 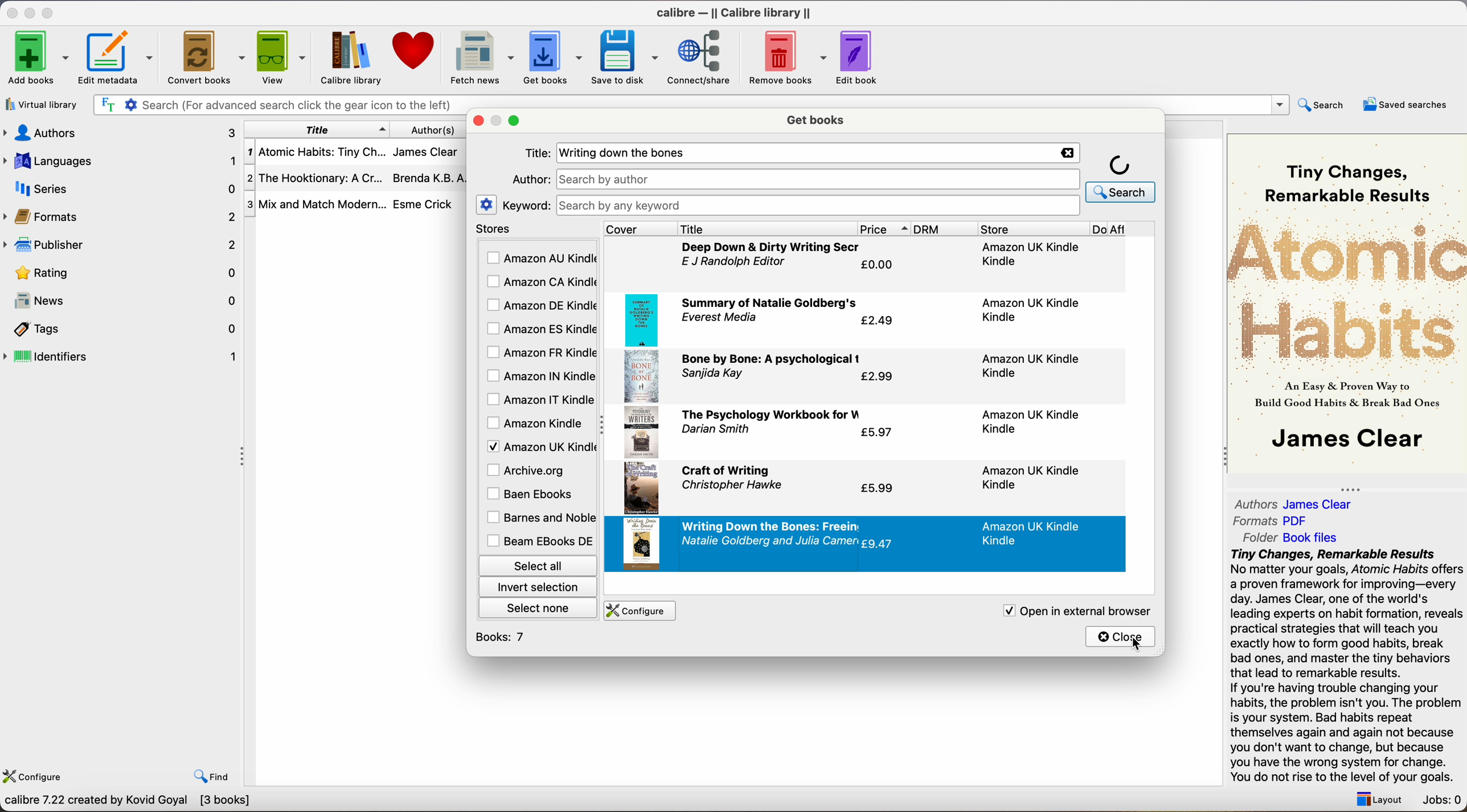 What do you see at coordinates (818, 118) in the screenshot?
I see `get books` at bounding box center [818, 118].